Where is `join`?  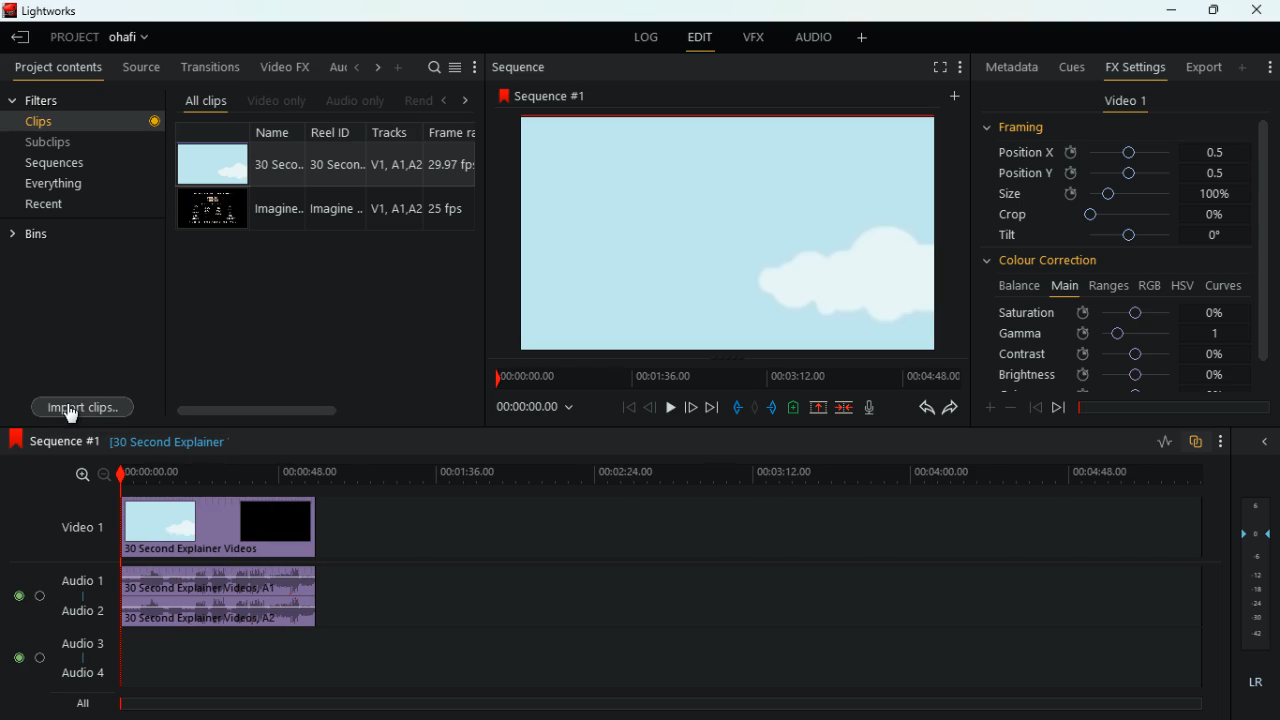 join is located at coordinates (846, 407).